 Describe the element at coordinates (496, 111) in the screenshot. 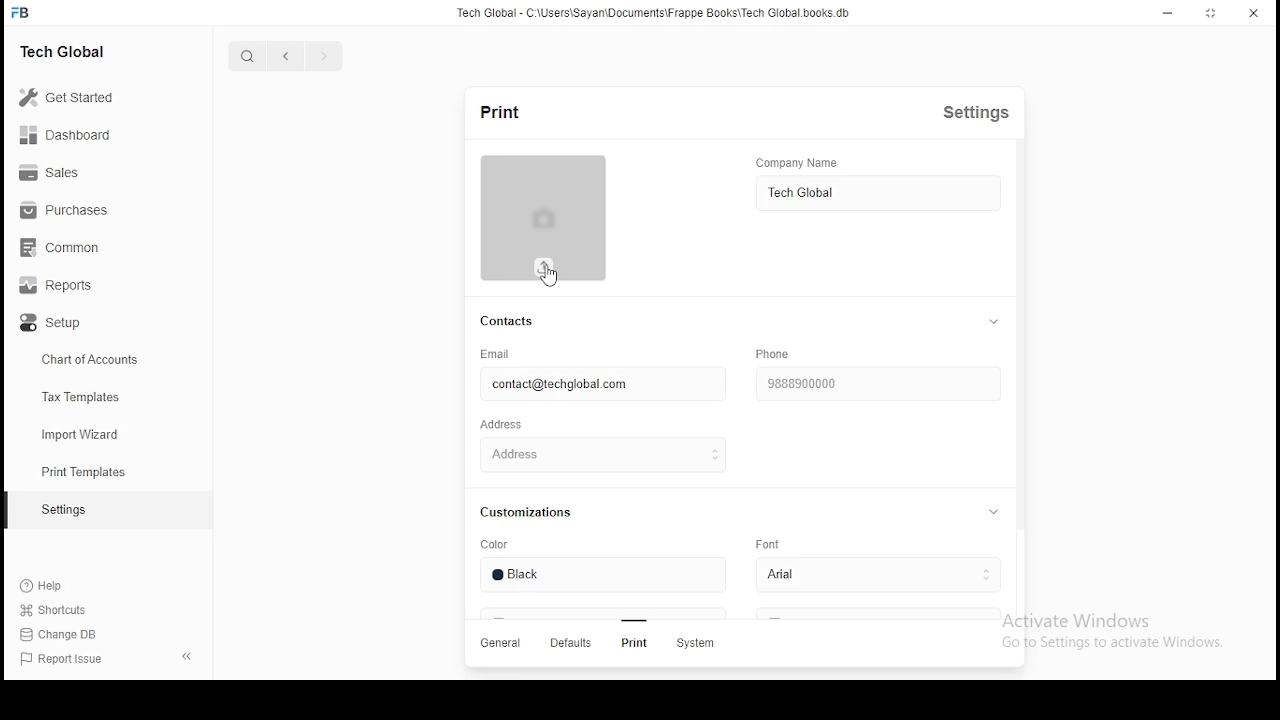

I see `Print` at that location.